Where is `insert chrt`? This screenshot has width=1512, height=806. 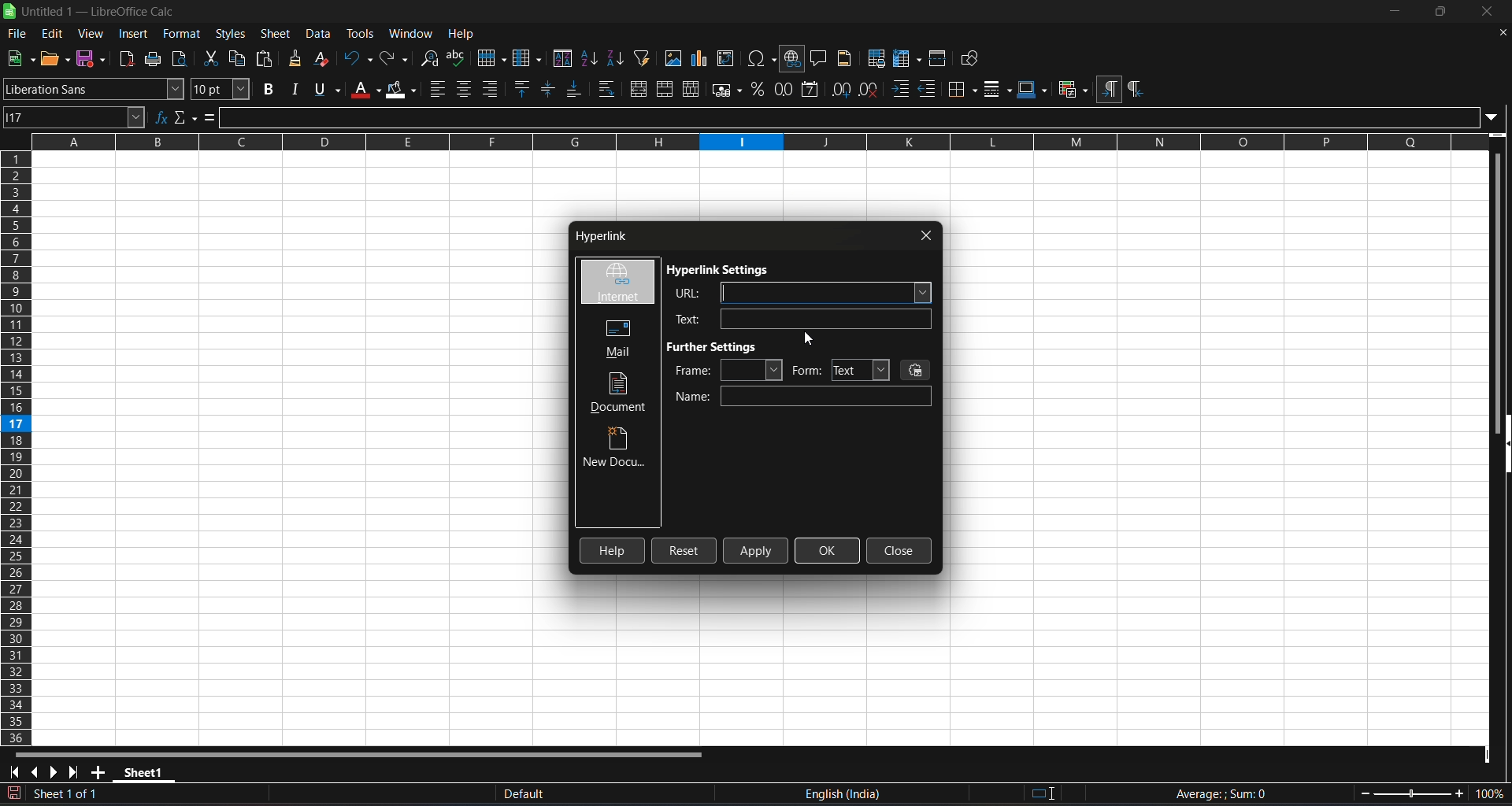 insert chrt is located at coordinates (703, 58).